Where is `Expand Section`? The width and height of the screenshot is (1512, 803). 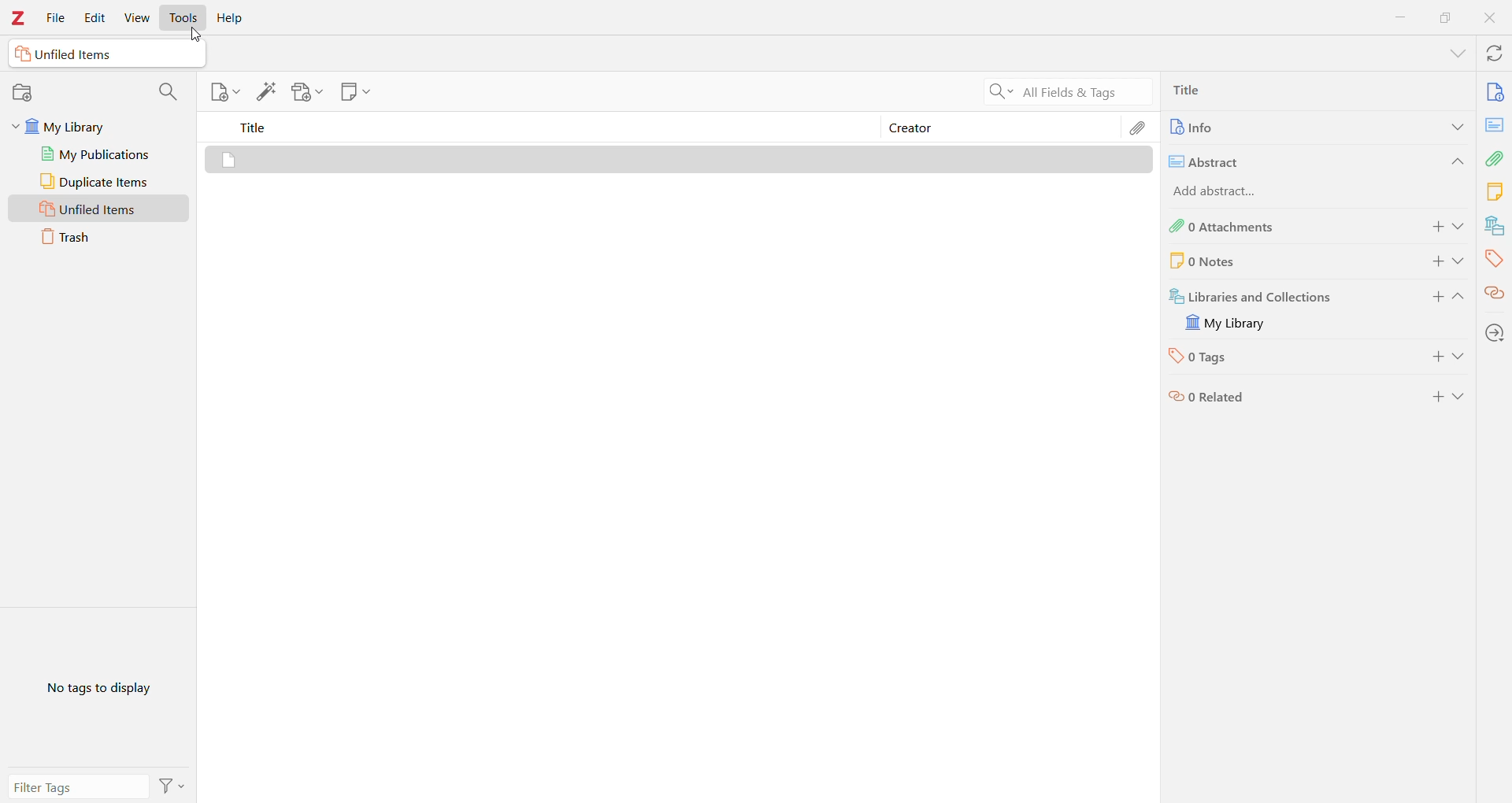
Expand Section is located at coordinates (1459, 262).